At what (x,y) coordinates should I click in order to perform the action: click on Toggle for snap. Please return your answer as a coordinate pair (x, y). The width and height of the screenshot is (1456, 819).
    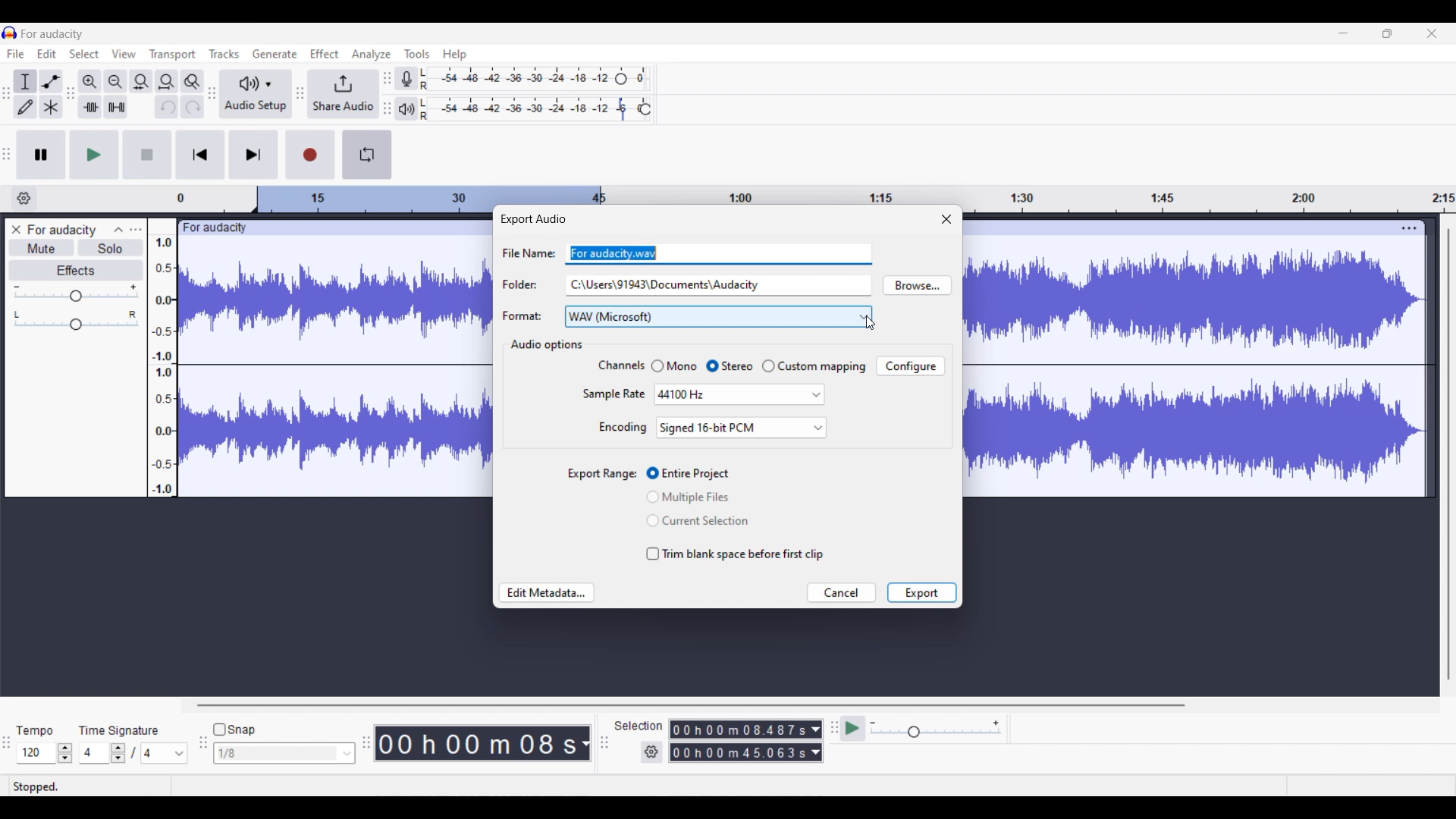
    Looking at the image, I should click on (234, 730).